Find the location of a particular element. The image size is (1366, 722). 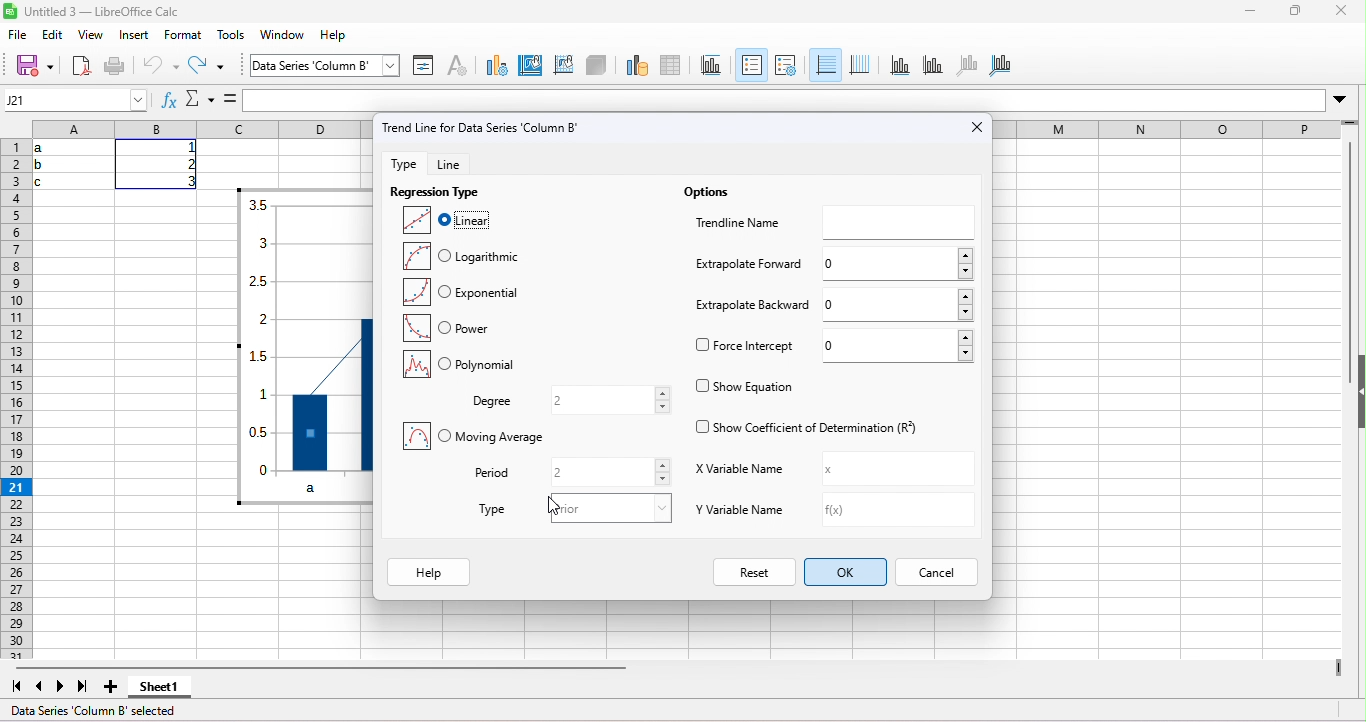

trendline name is located at coordinates (731, 220).